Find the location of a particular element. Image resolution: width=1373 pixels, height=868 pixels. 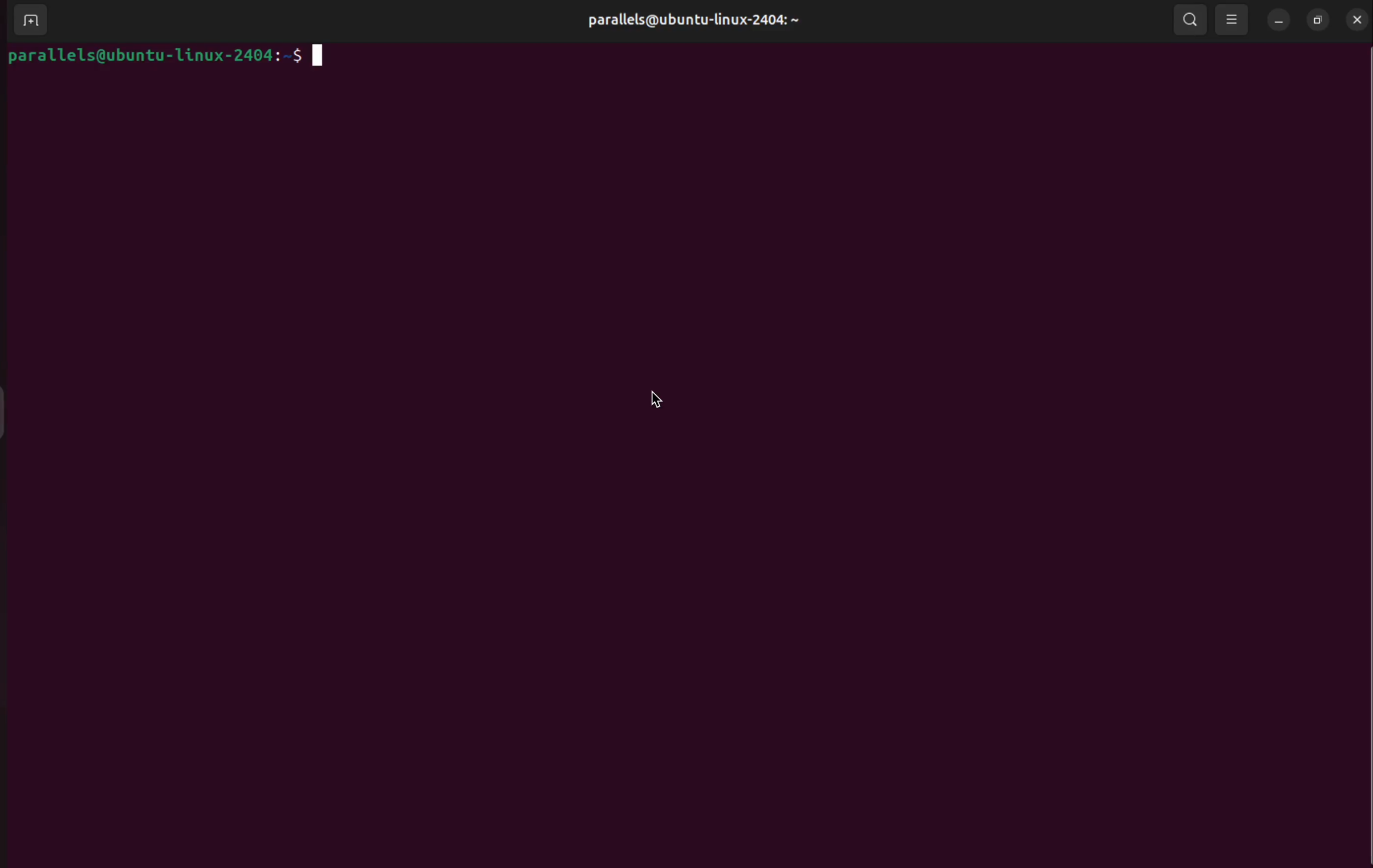

view options is located at coordinates (1234, 21).